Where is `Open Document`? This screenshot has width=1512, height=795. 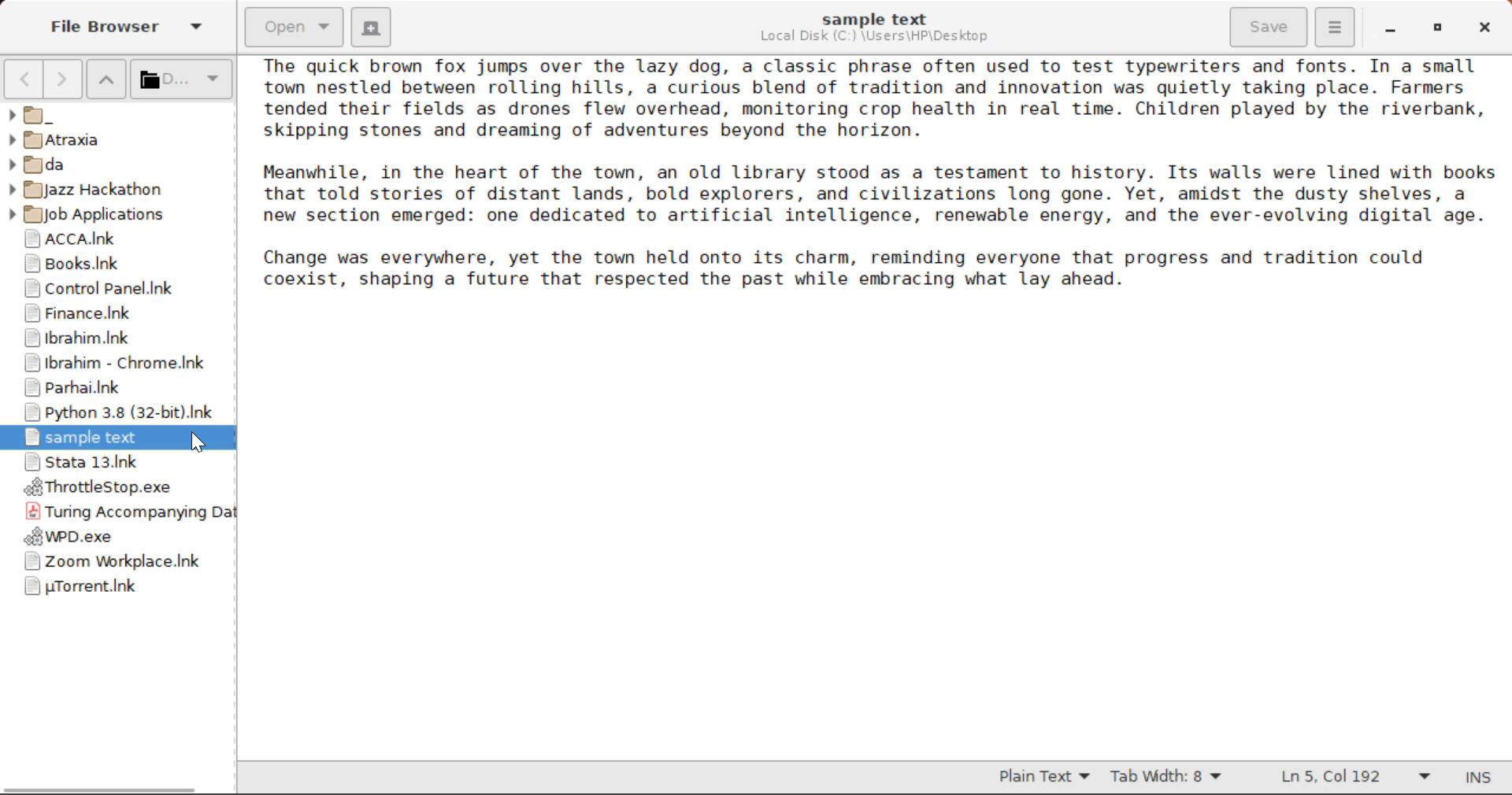 Open Document is located at coordinates (295, 25).